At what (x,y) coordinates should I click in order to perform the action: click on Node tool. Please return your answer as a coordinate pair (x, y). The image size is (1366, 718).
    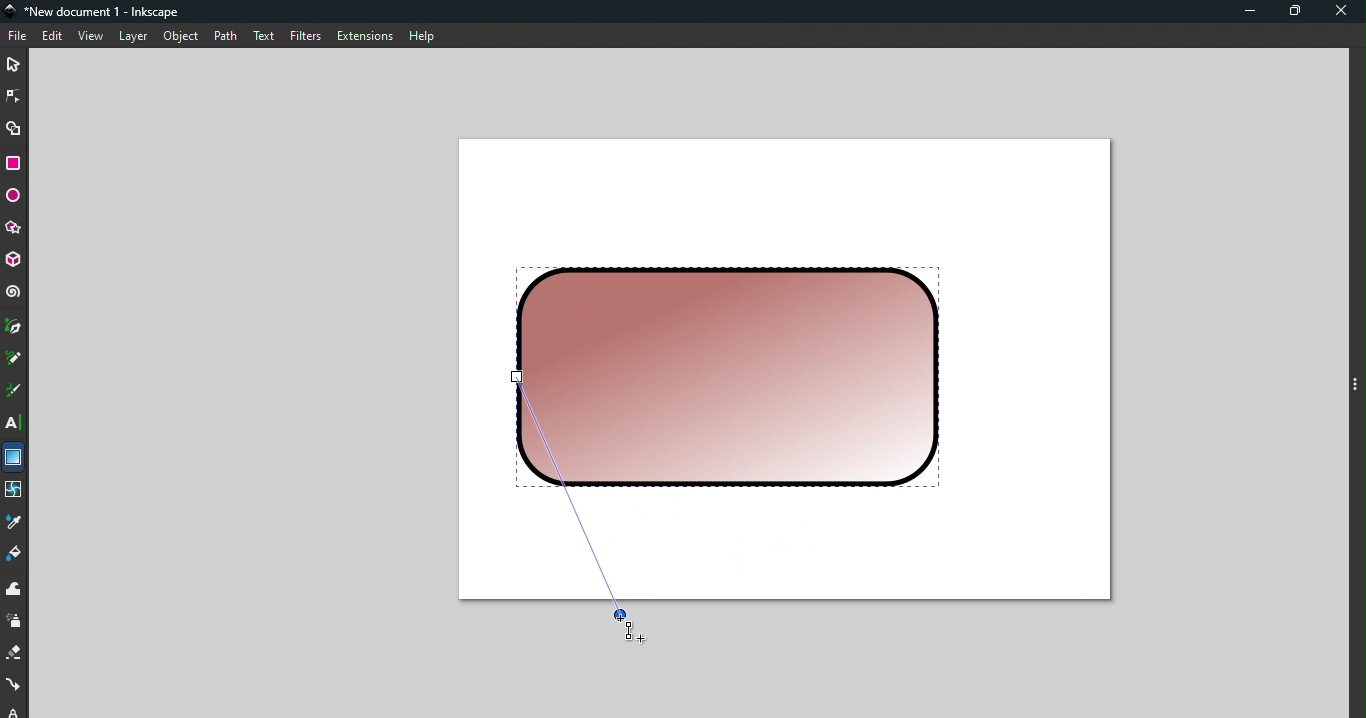
    Looking at the image, I should click on (16, 93).